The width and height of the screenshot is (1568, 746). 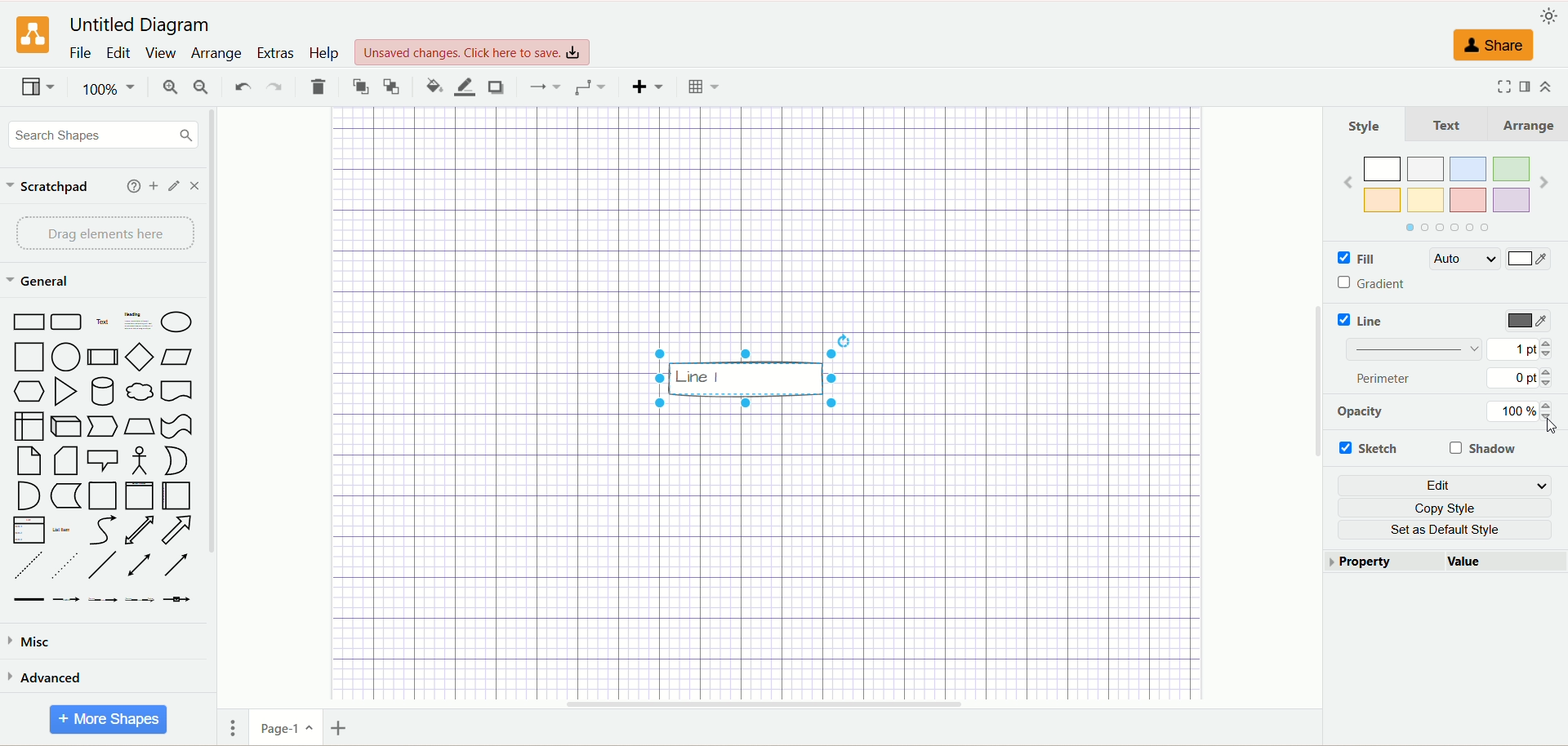 I want to click on Diamond, so click(x=138, y=357).